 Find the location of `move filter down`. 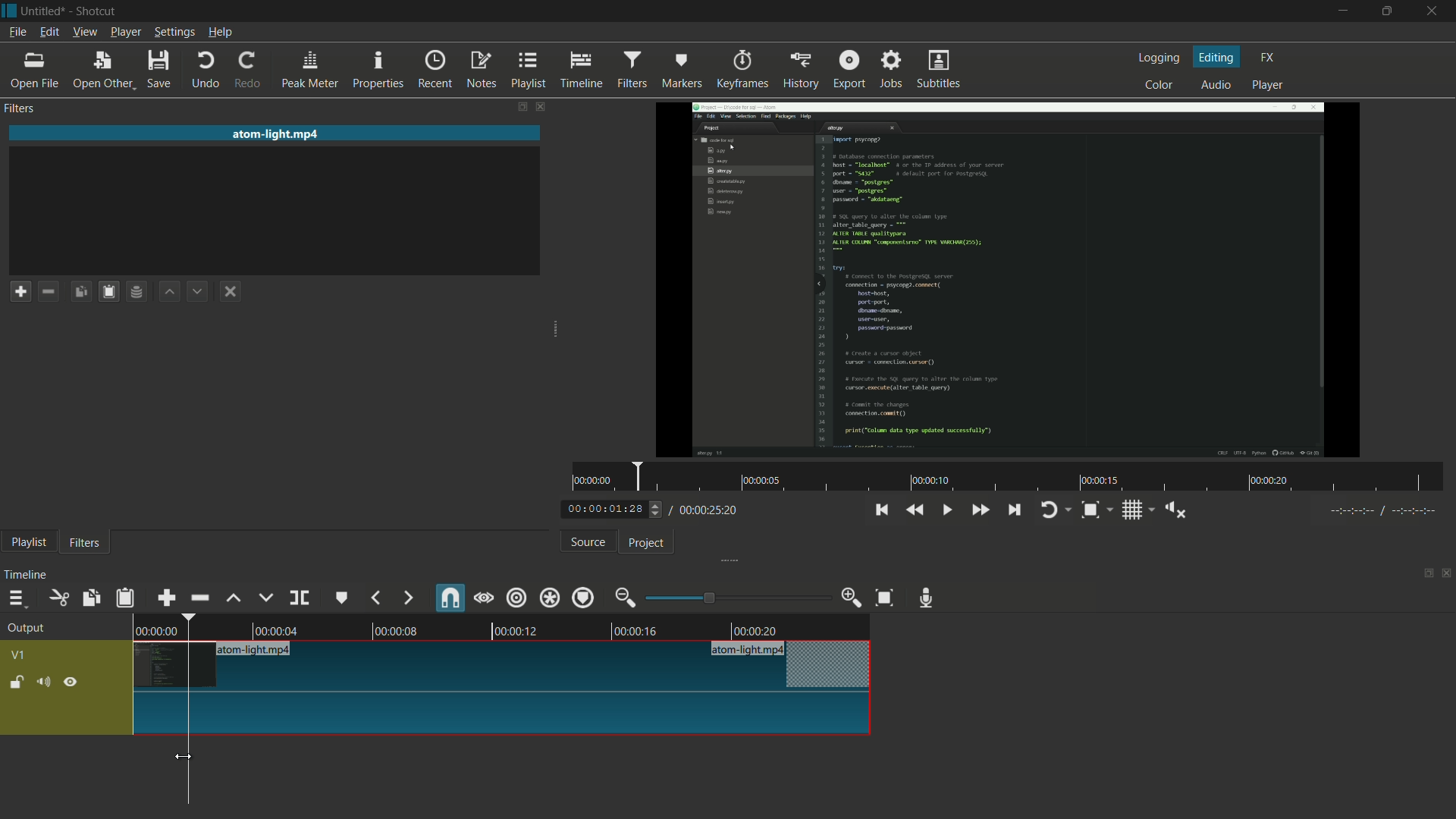

move filter down is located at coordinates (202, 290).